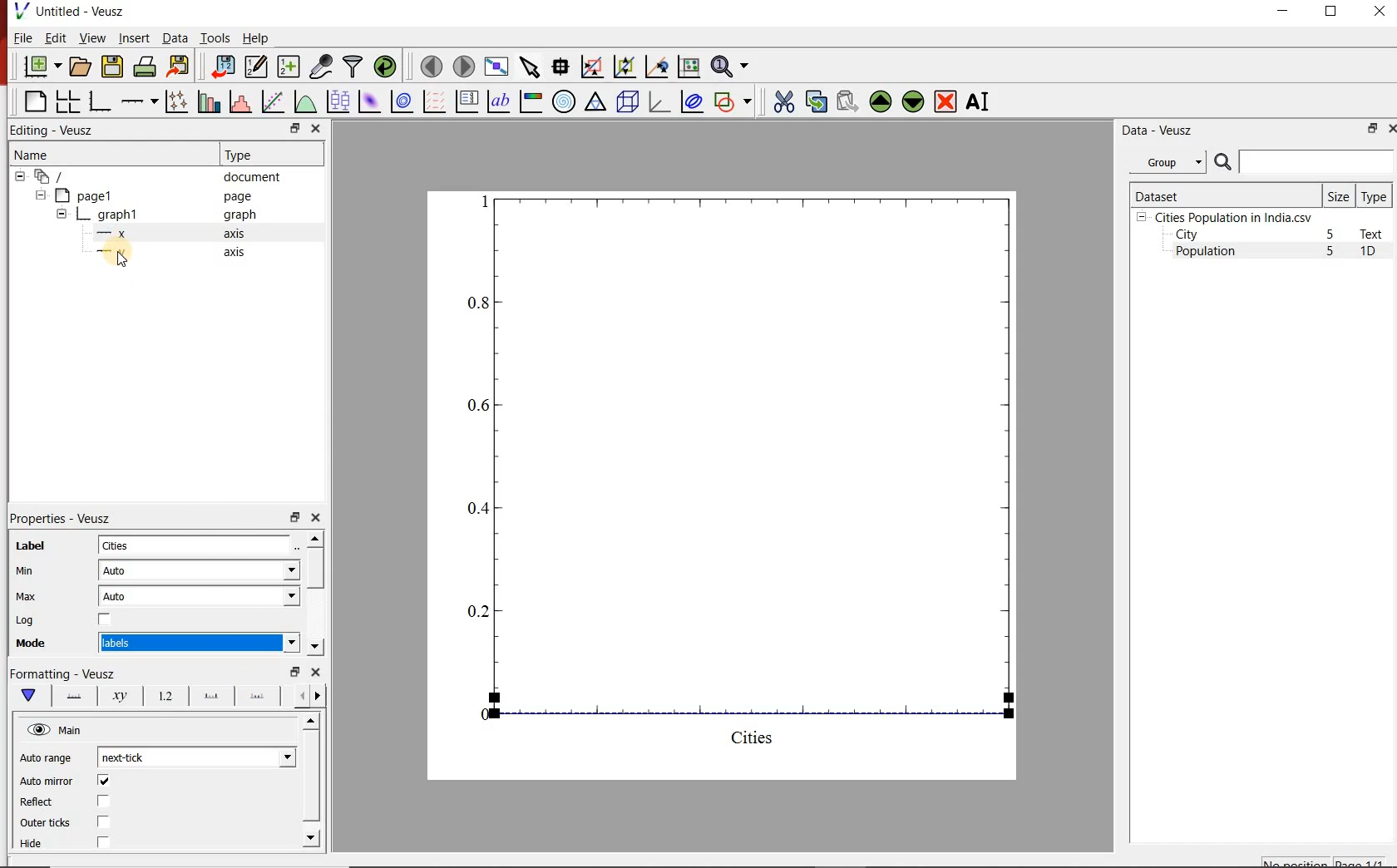 The image size is (1397, 868). What do you see at coordinates (658, 101) in the screenshot?
I see `3d graph` at bounding box center [658, 101].